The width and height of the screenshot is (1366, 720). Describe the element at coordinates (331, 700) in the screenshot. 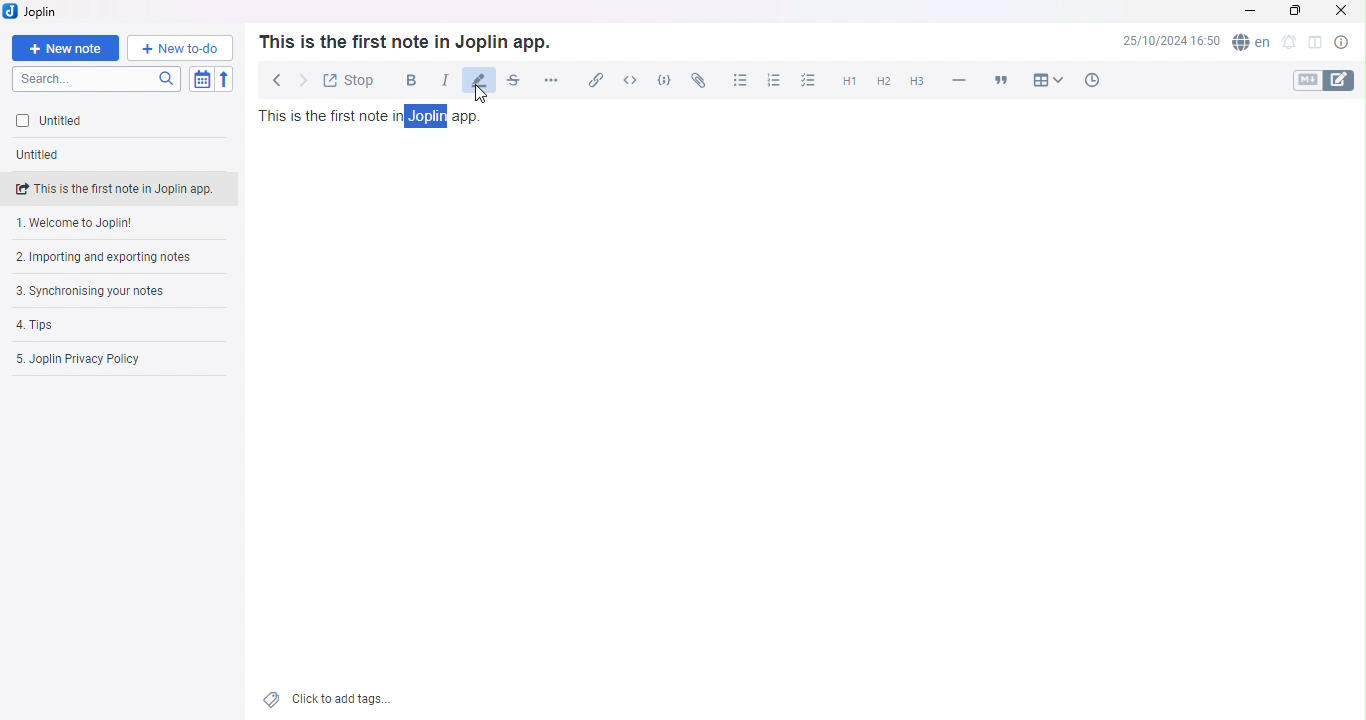

I see `Add tags` at that location.